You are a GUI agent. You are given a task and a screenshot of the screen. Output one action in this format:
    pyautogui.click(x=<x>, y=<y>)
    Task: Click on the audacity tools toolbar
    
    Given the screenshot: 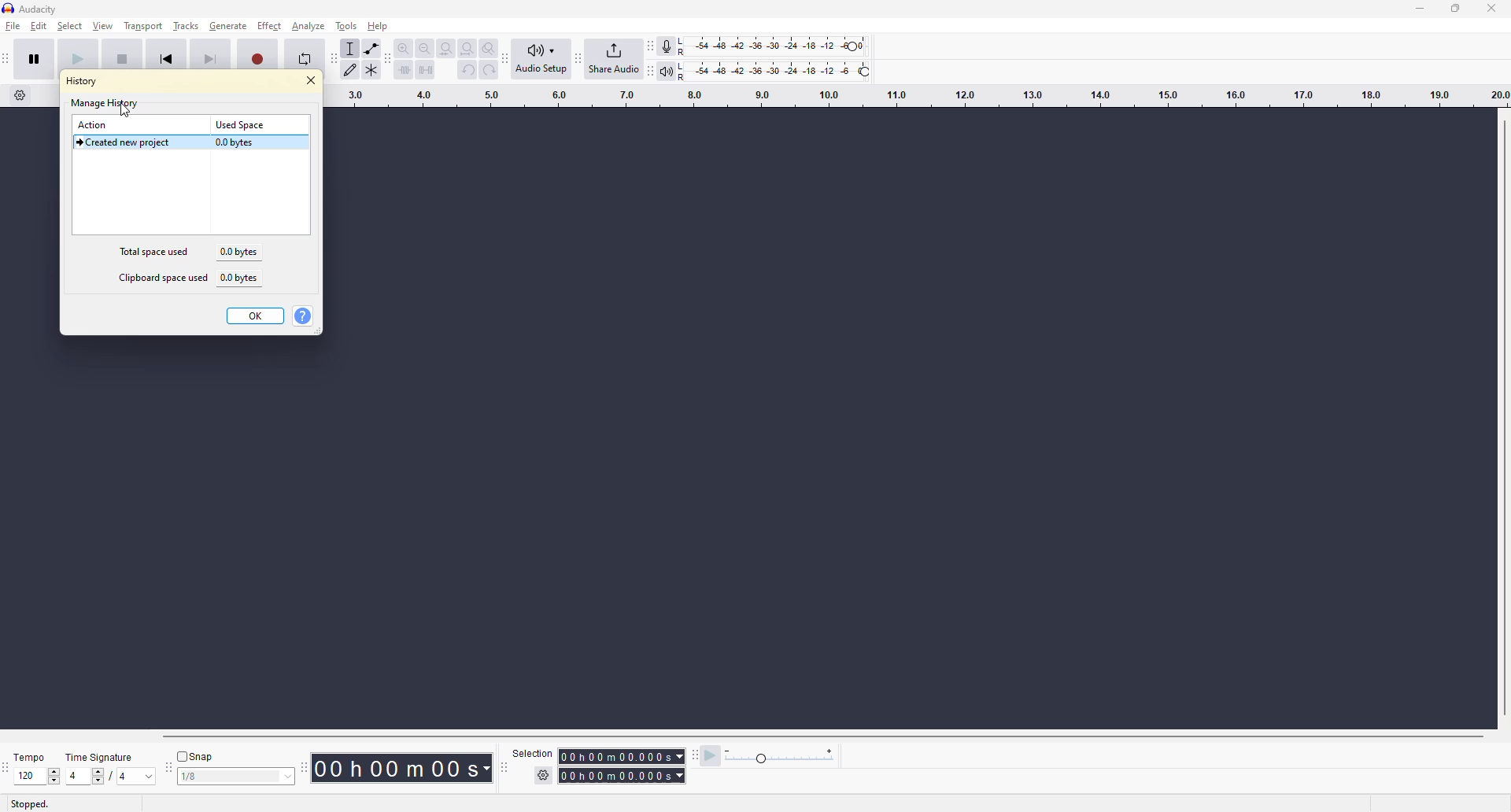 What is the action you would take?
    pyautogui.click(x=333, y=61)
    